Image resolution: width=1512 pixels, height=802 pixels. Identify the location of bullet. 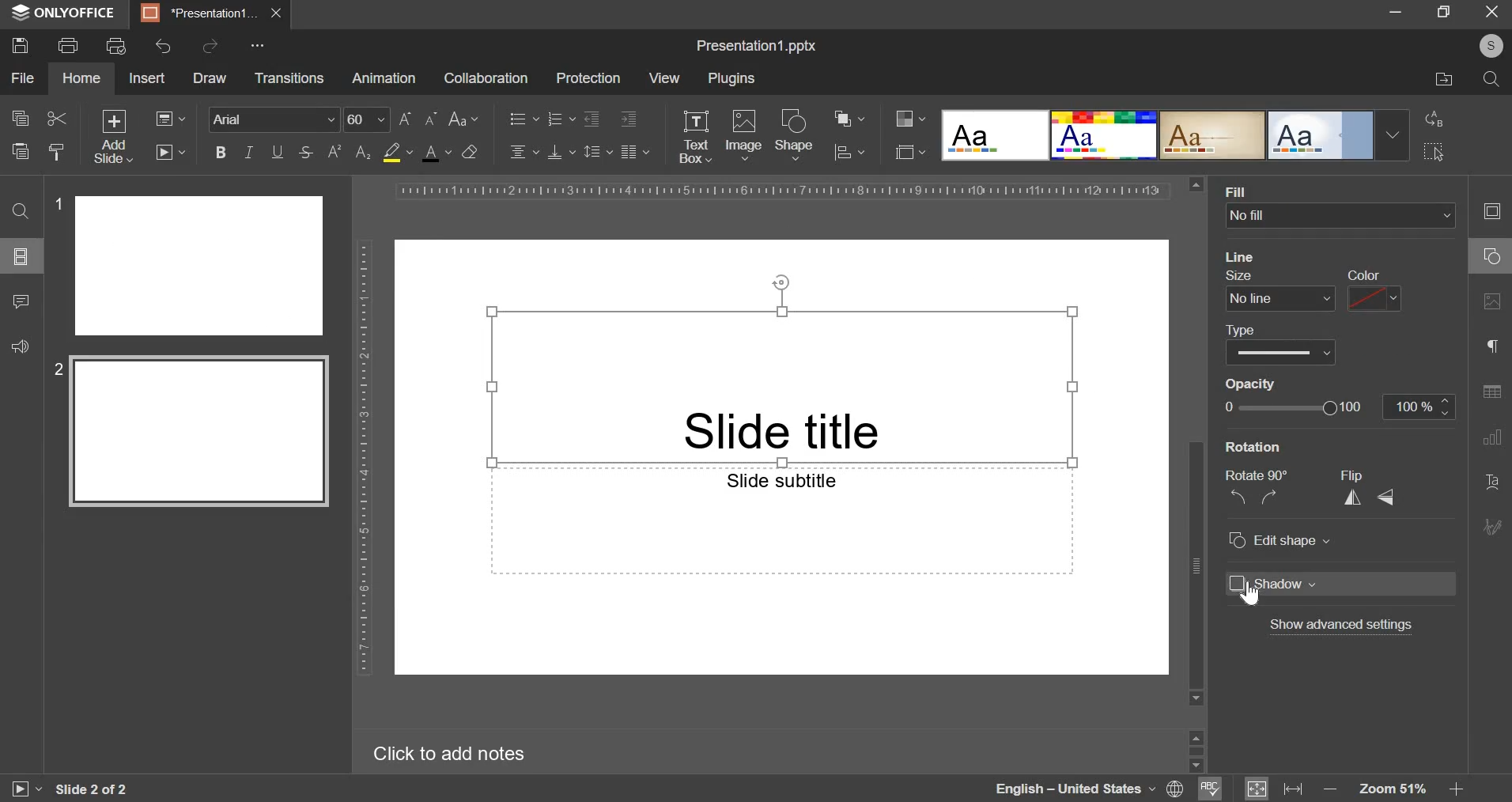
(523, 117).